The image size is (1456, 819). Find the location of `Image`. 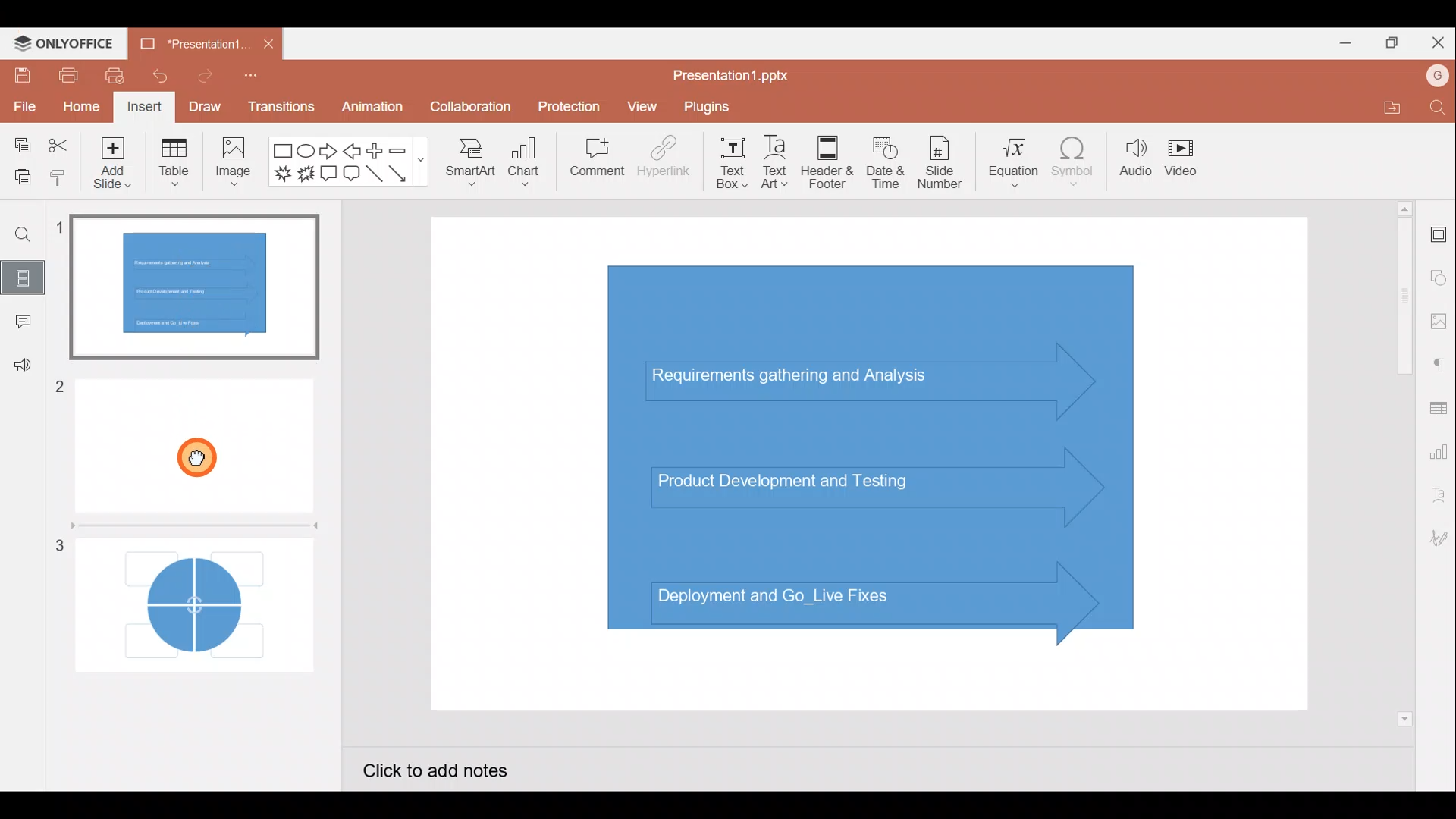

Image is located at coordinates (236, 168).